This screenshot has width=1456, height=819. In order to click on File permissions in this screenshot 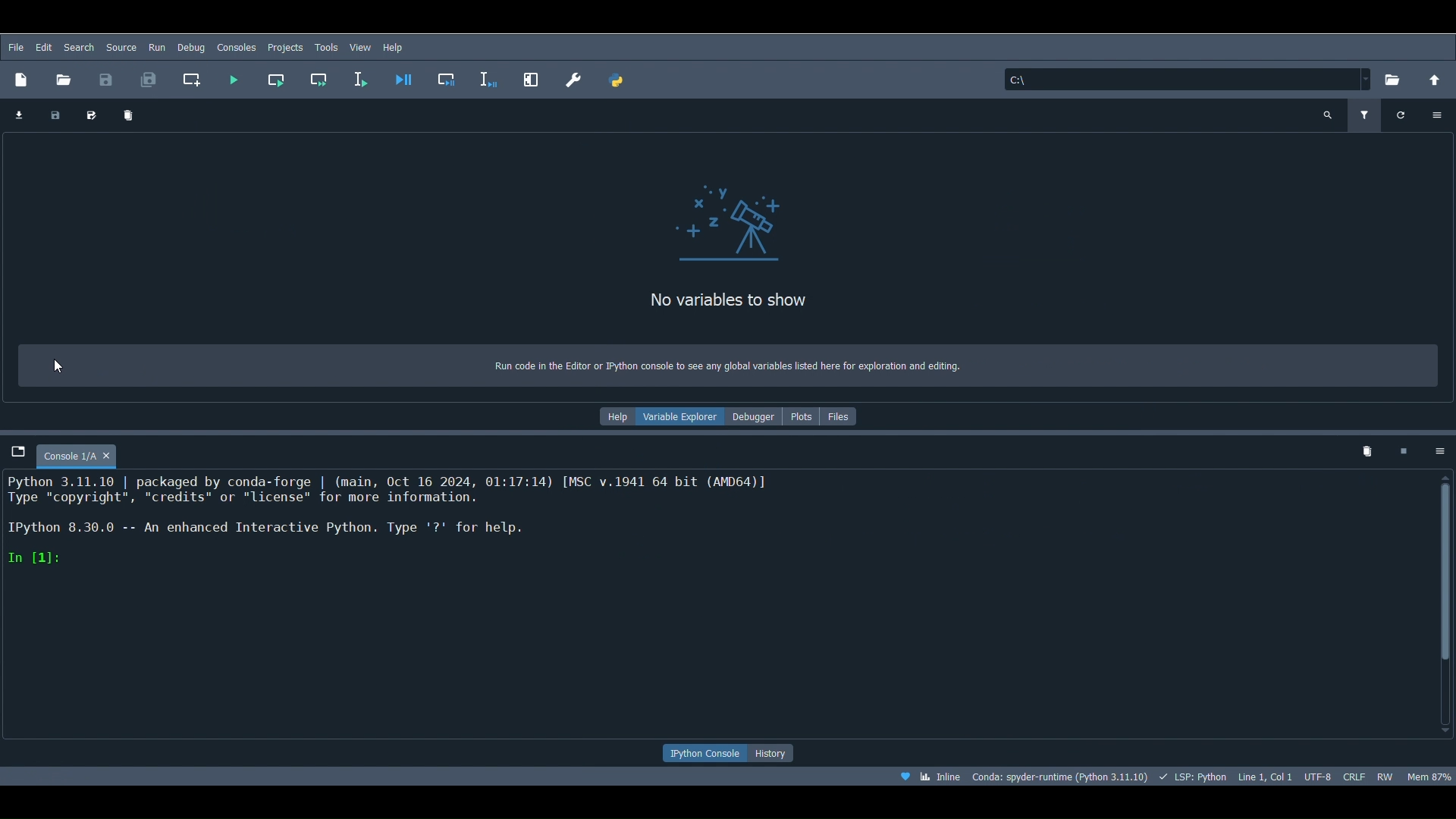, I will do `click(1386, 774)`.